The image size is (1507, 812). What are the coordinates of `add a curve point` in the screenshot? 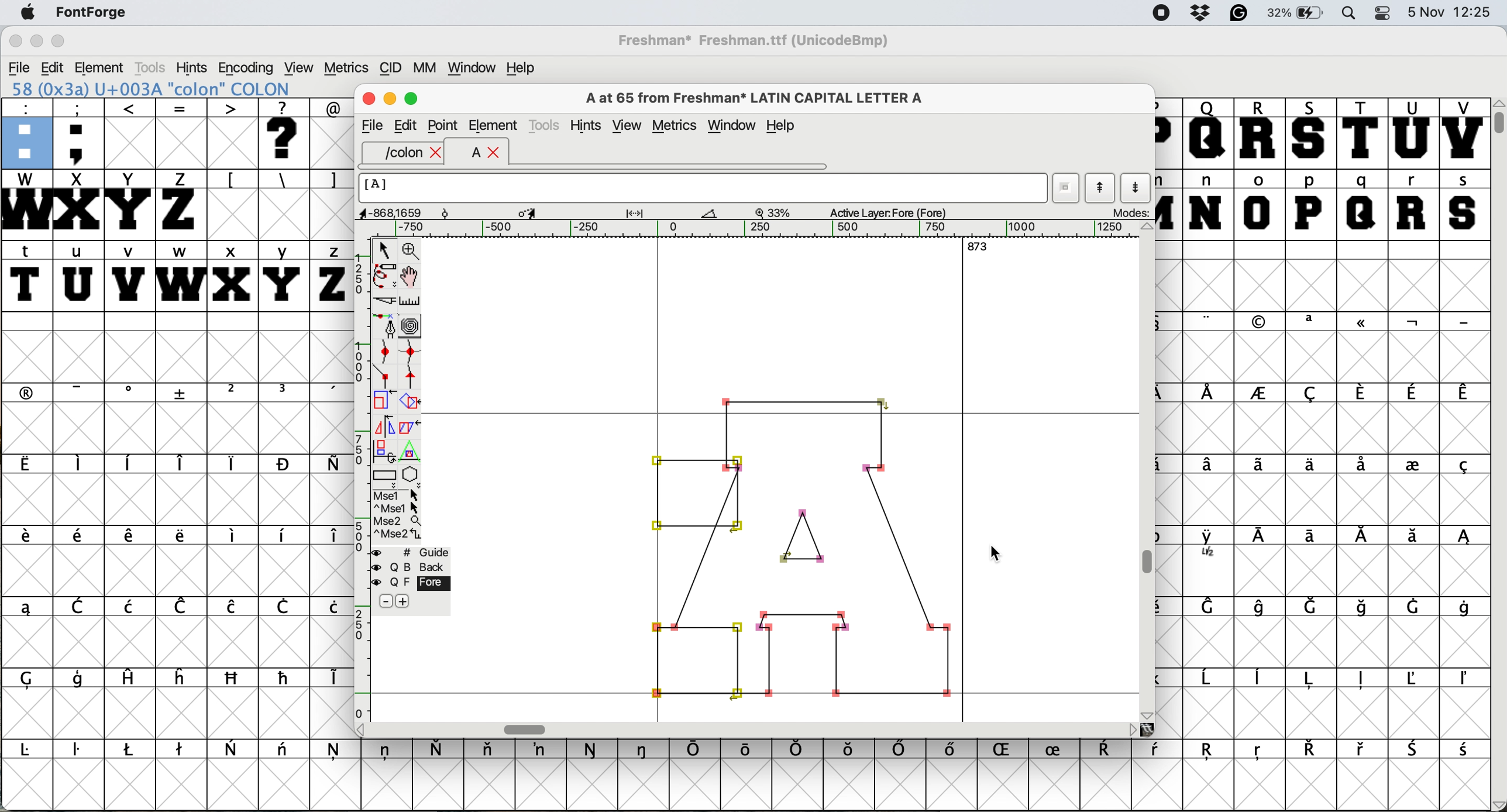 It's located at (380, 350).